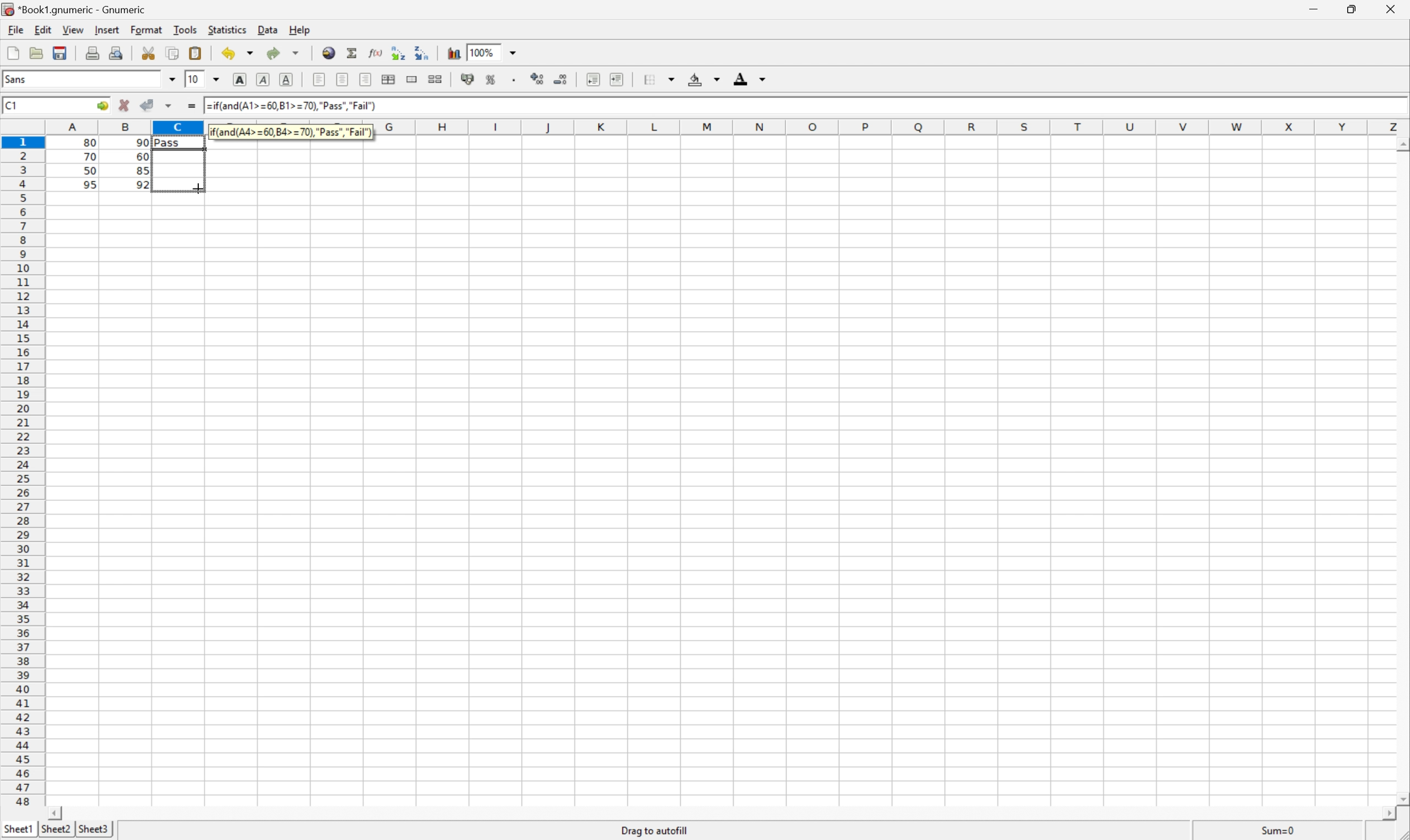  I want to click on Redo, so click(271, 51).